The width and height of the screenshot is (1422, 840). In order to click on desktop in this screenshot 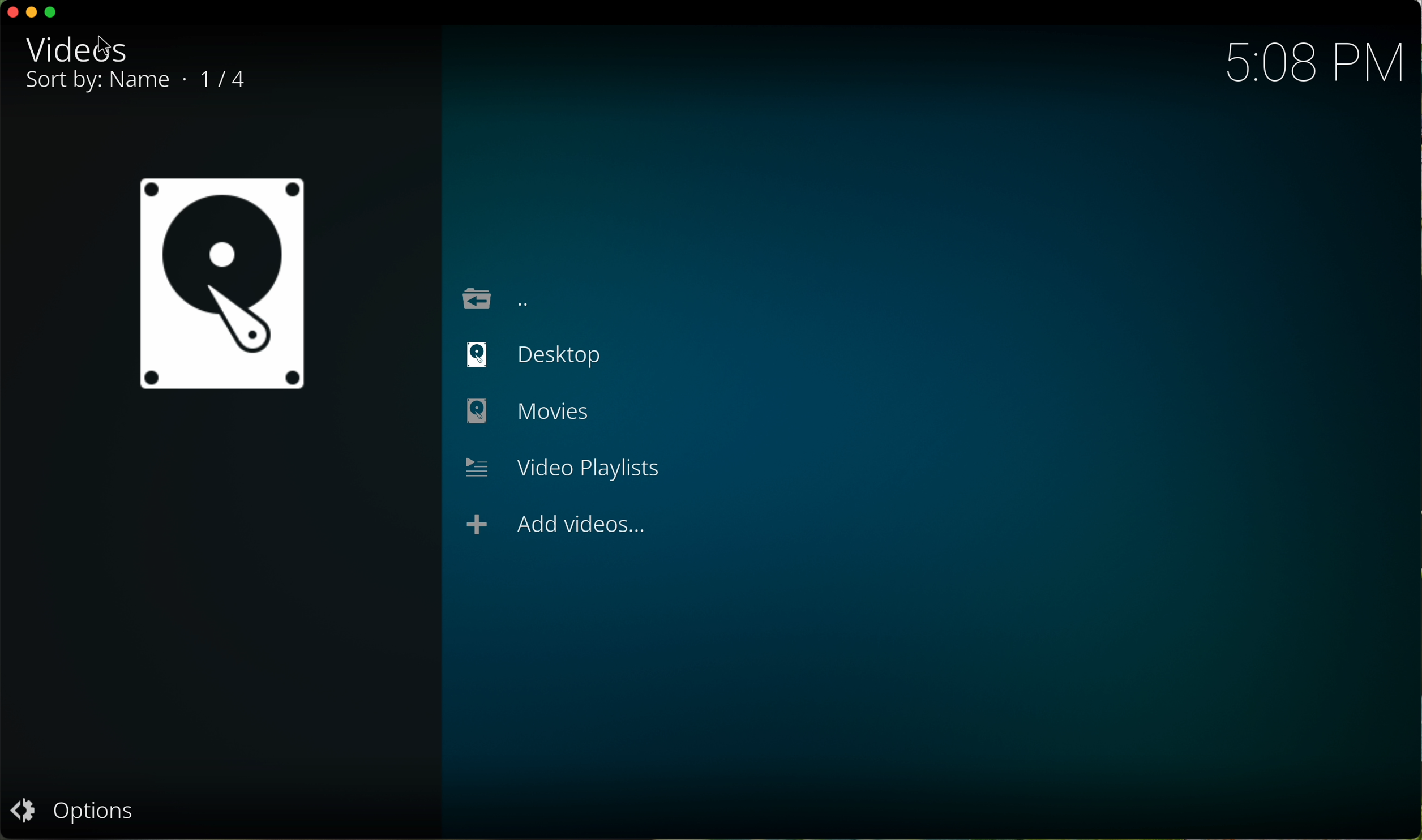, I will do `click(538, 356)`.